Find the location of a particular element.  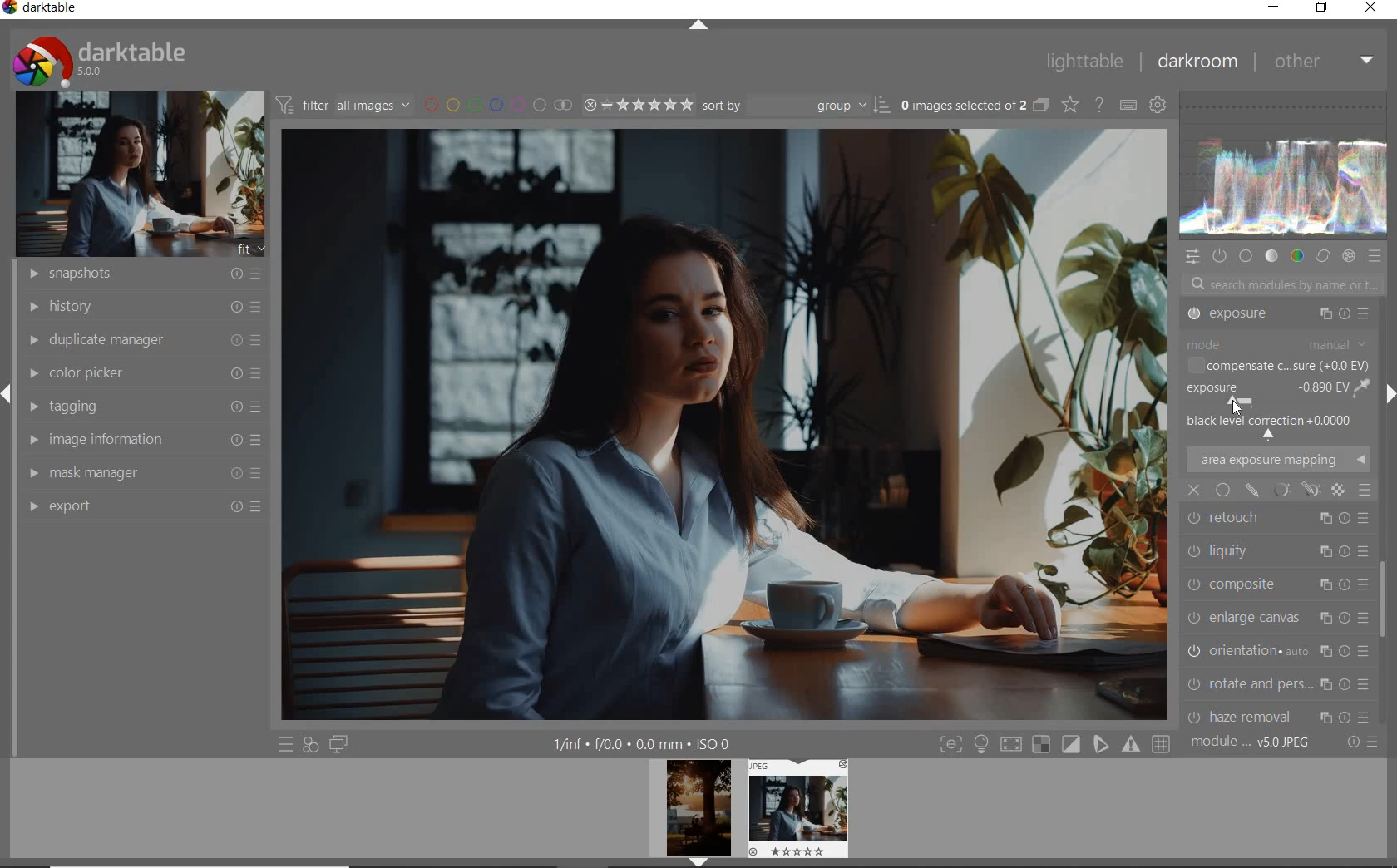

EXPAND/COLLAPSE is located at coordinates (699, 26).